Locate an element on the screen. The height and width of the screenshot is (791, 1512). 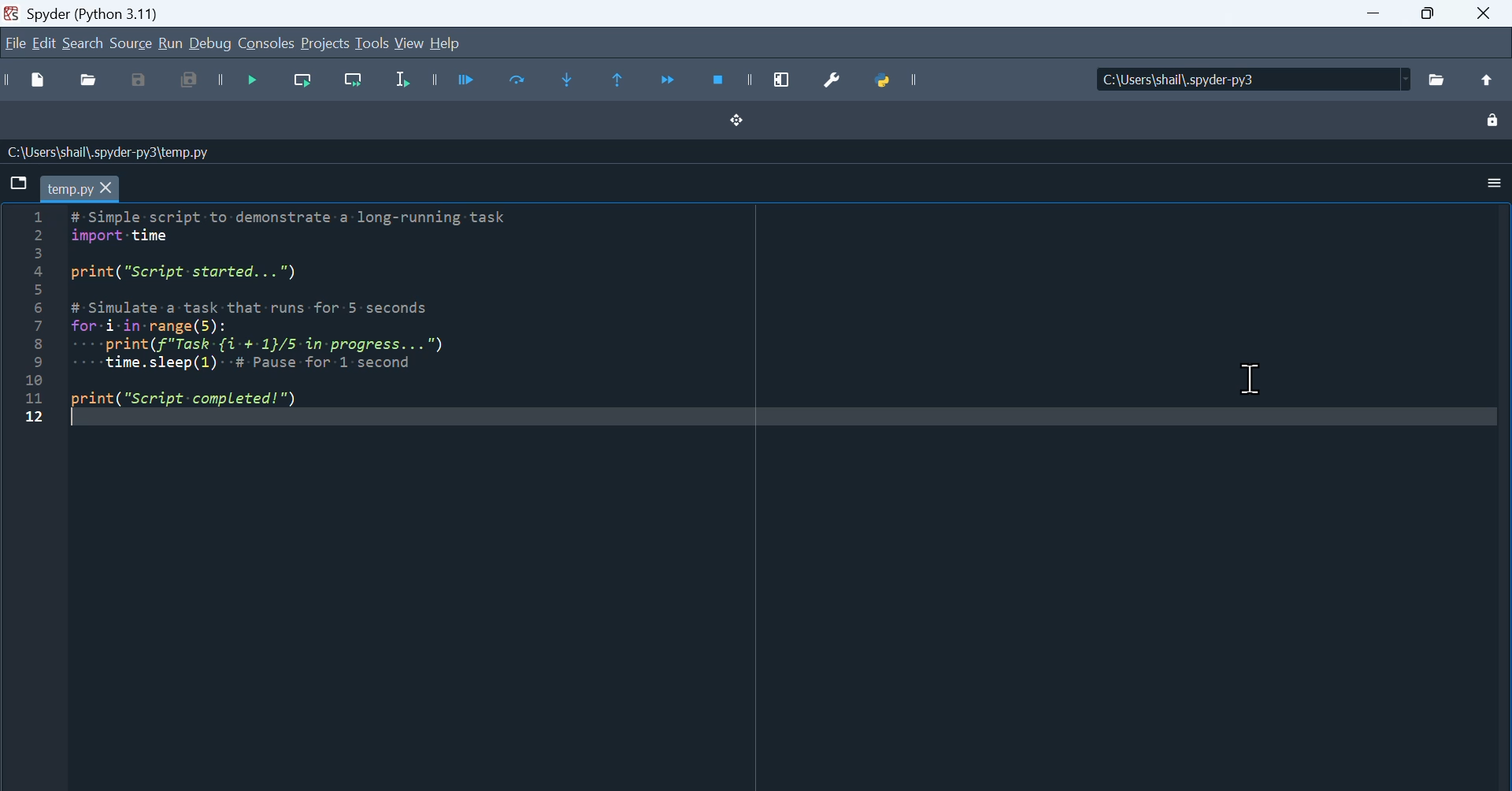
Save all is located at coordinates (192, 80).